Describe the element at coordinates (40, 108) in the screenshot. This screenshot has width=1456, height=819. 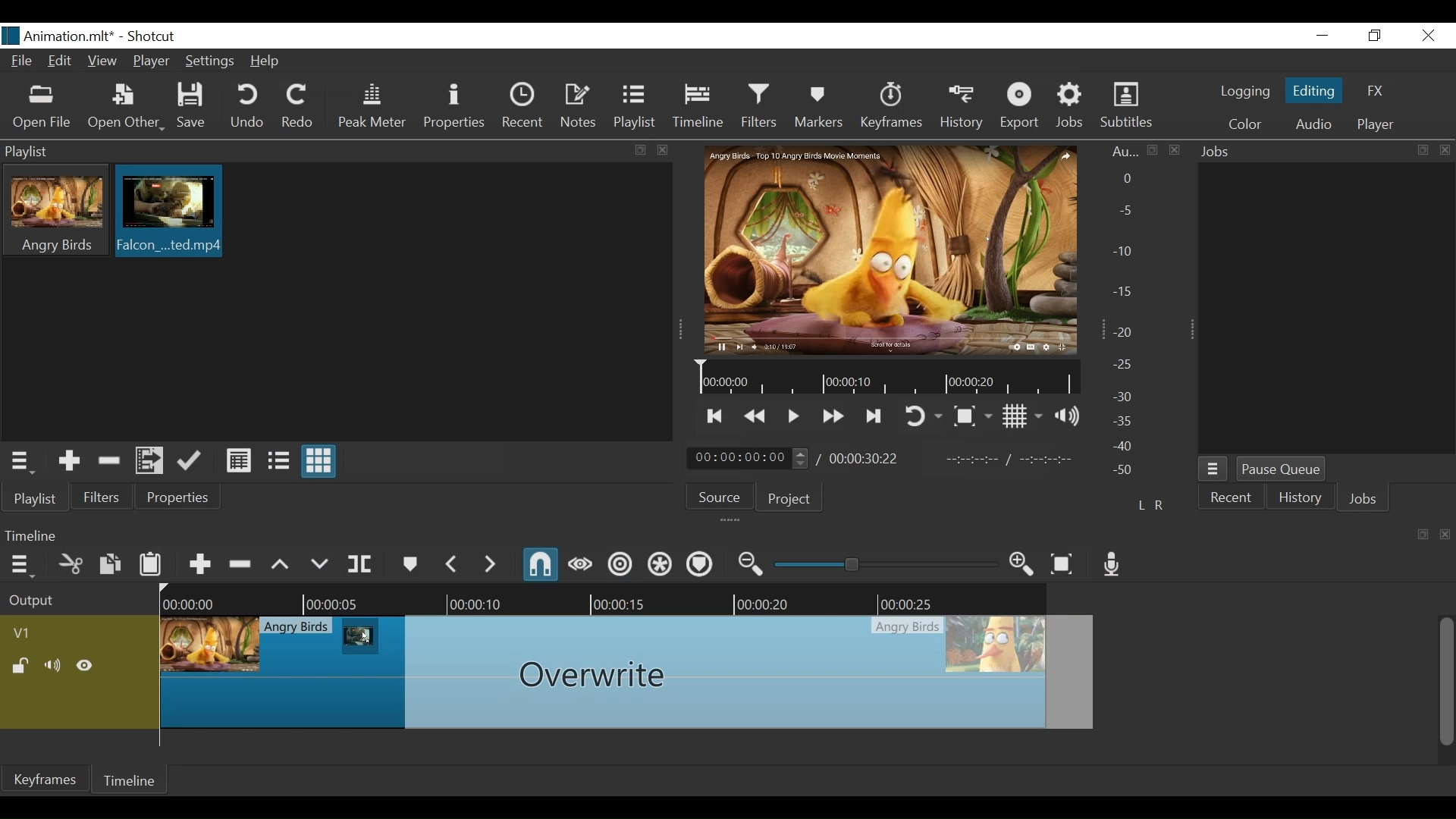
I see `Open File` at that location.